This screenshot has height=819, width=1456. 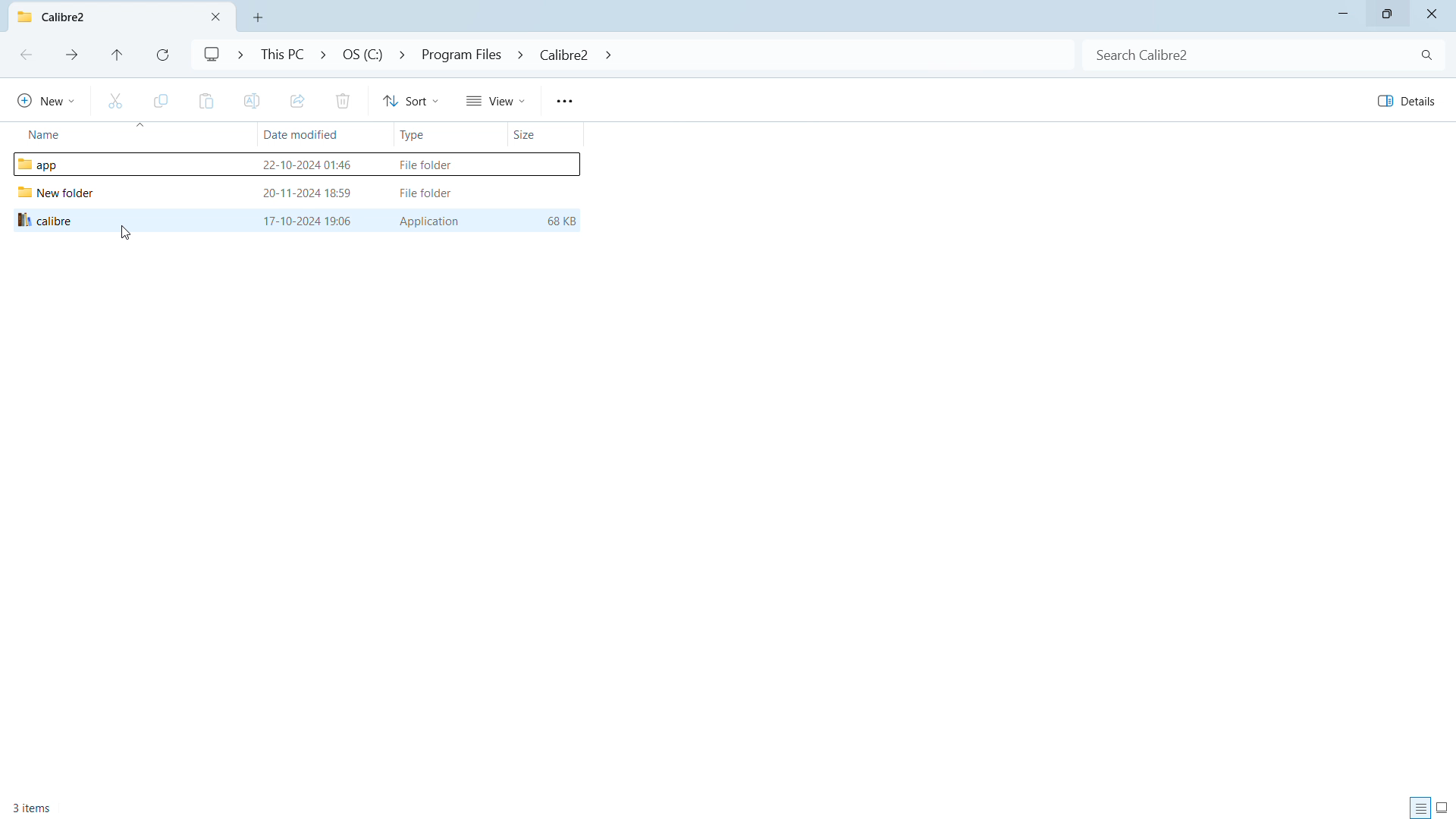 What do you see at coordinates (1408, 101) in the screenshot?
I see `details` at bounding box center [1408, 101].